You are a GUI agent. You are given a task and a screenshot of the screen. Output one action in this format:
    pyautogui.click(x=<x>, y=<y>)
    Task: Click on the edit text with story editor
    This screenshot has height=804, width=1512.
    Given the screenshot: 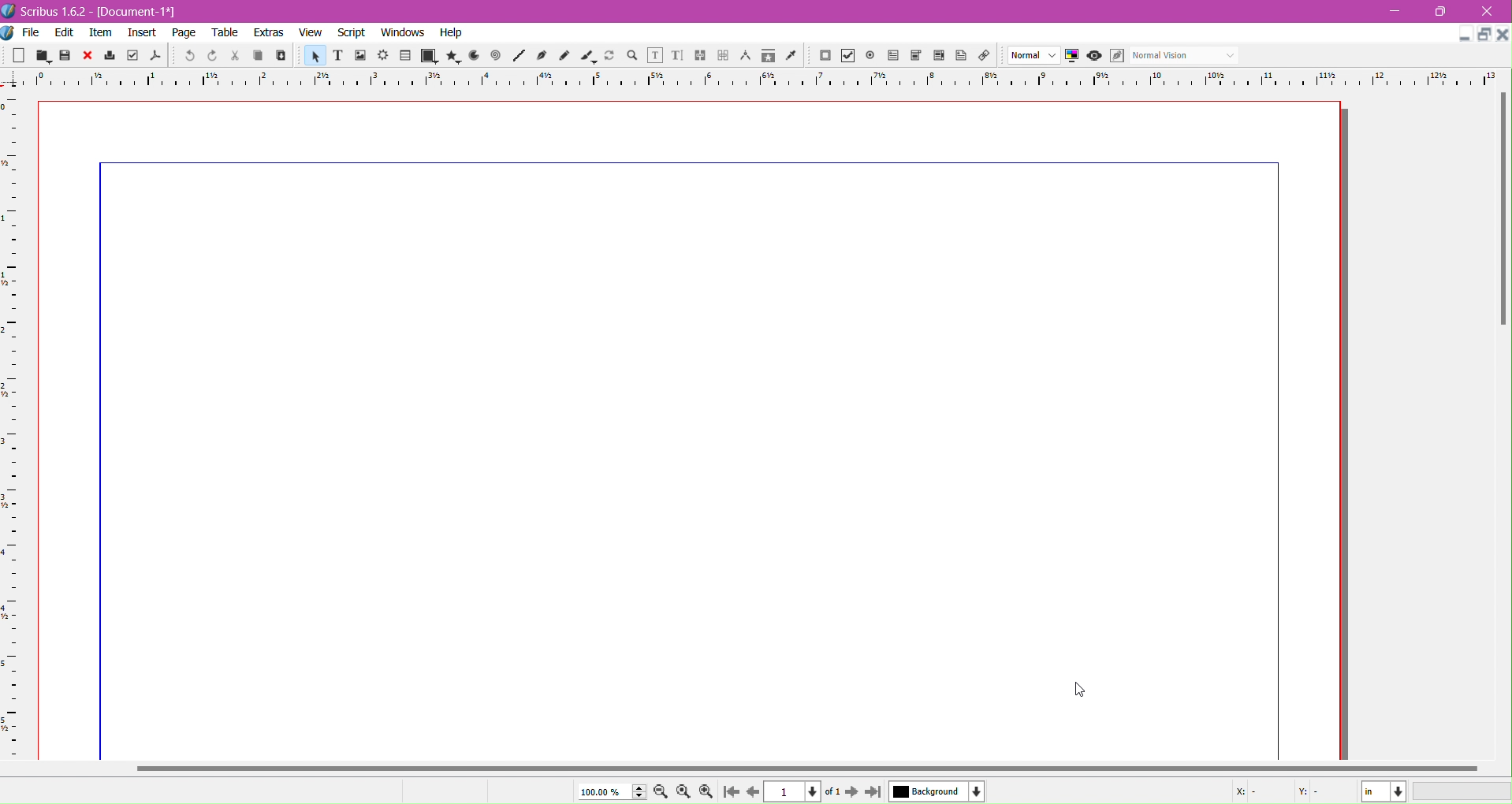 What is the action you would take?
    pyautogui.click(x=677, y=57)
    